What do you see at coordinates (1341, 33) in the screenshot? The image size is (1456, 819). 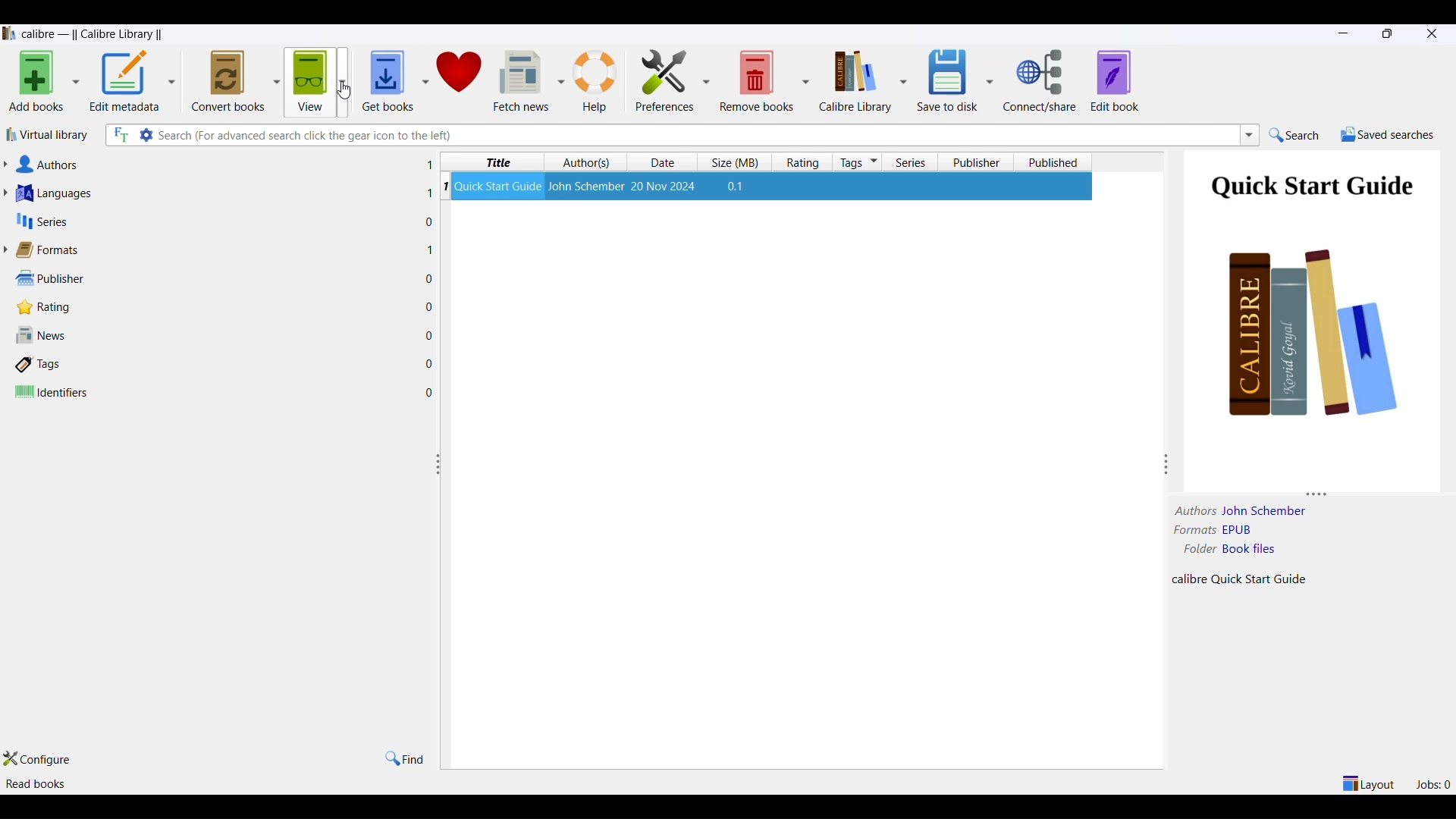 I see `minimize` at bounding box center [1341, 33].